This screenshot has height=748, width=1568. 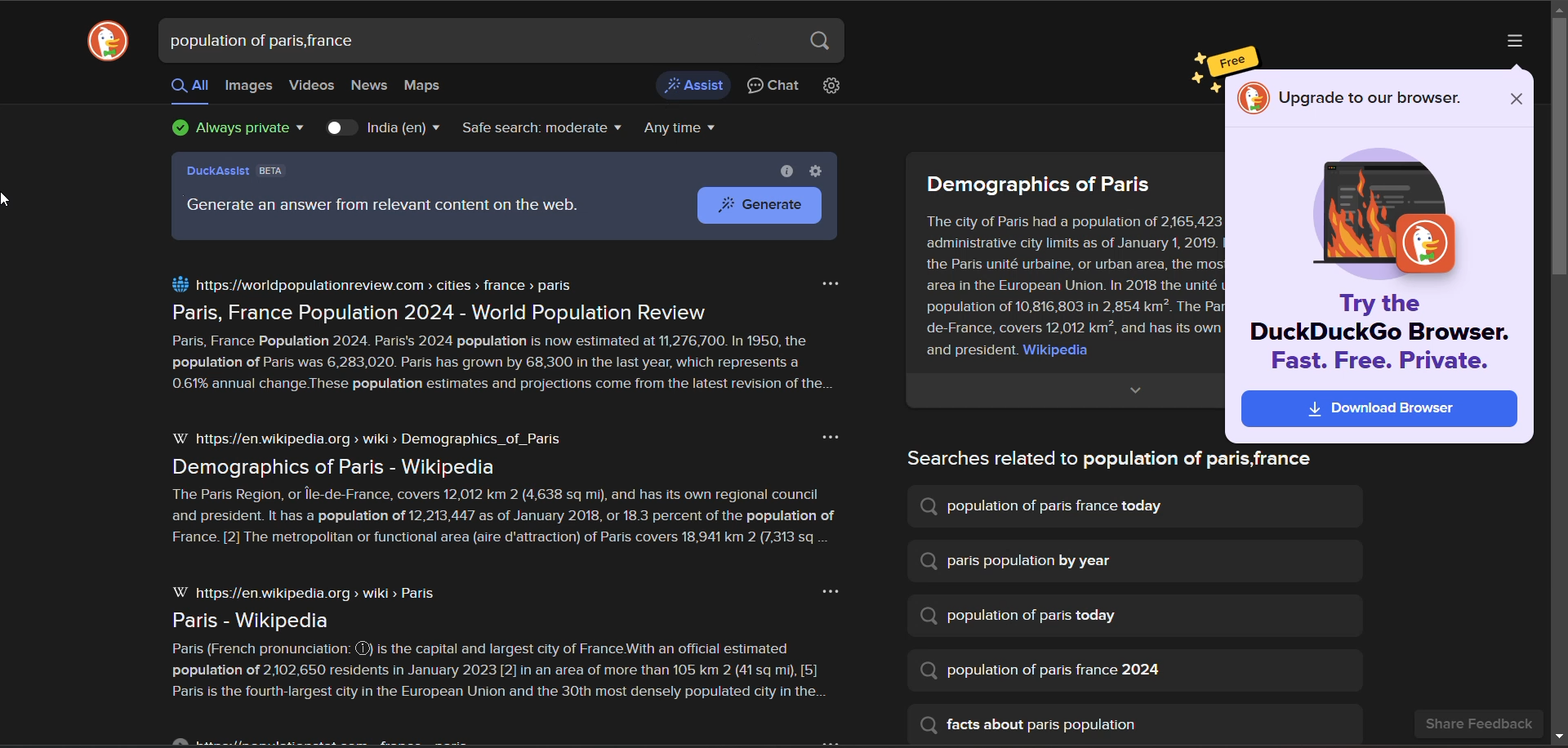 What do you see at coordinates (1046, 671) in the screenshot?
I see `population of paris france 2024` at bounding box center [1046, 671].